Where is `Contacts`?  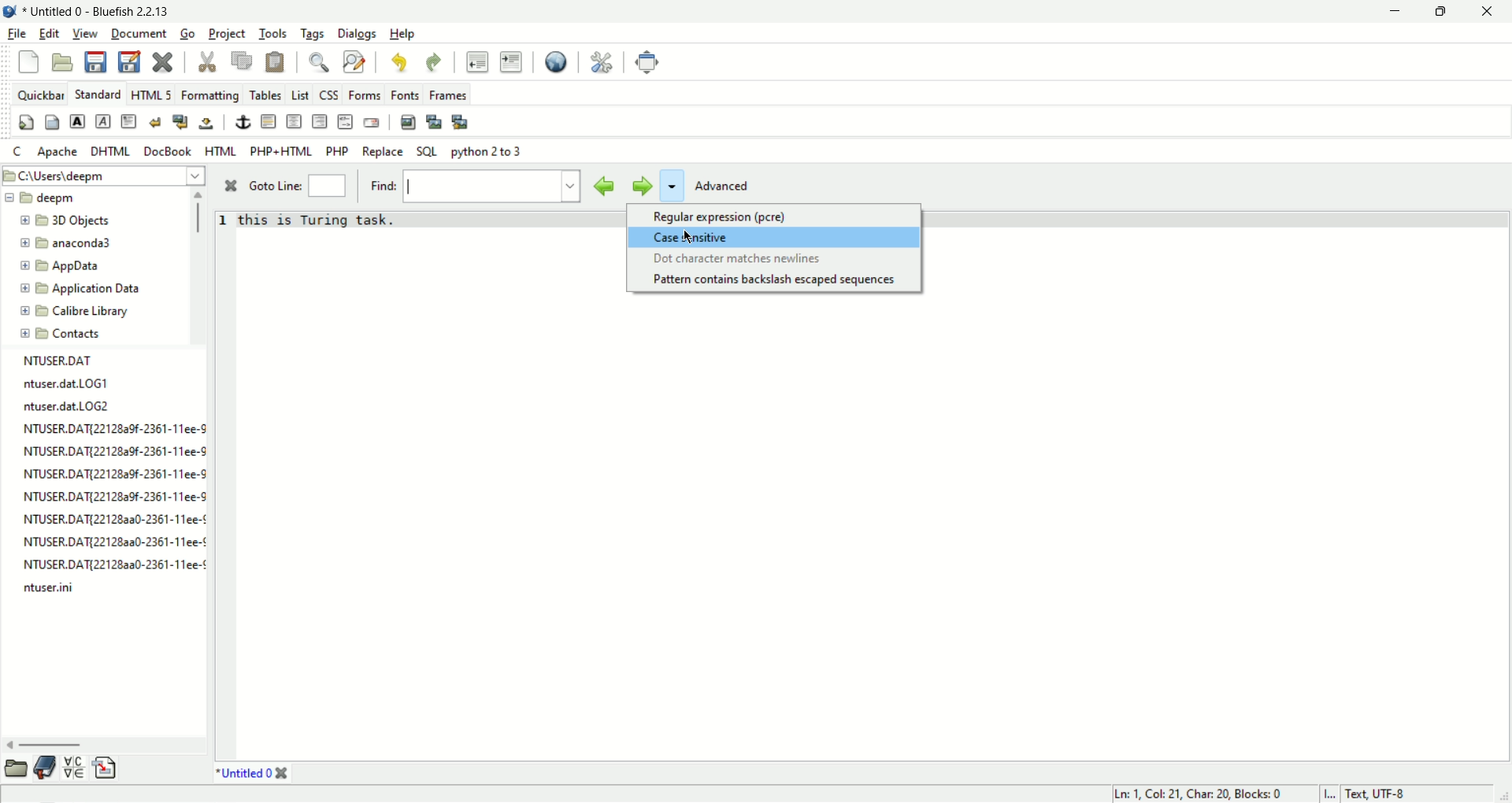 Contacts is located at coordinates (74, 332).